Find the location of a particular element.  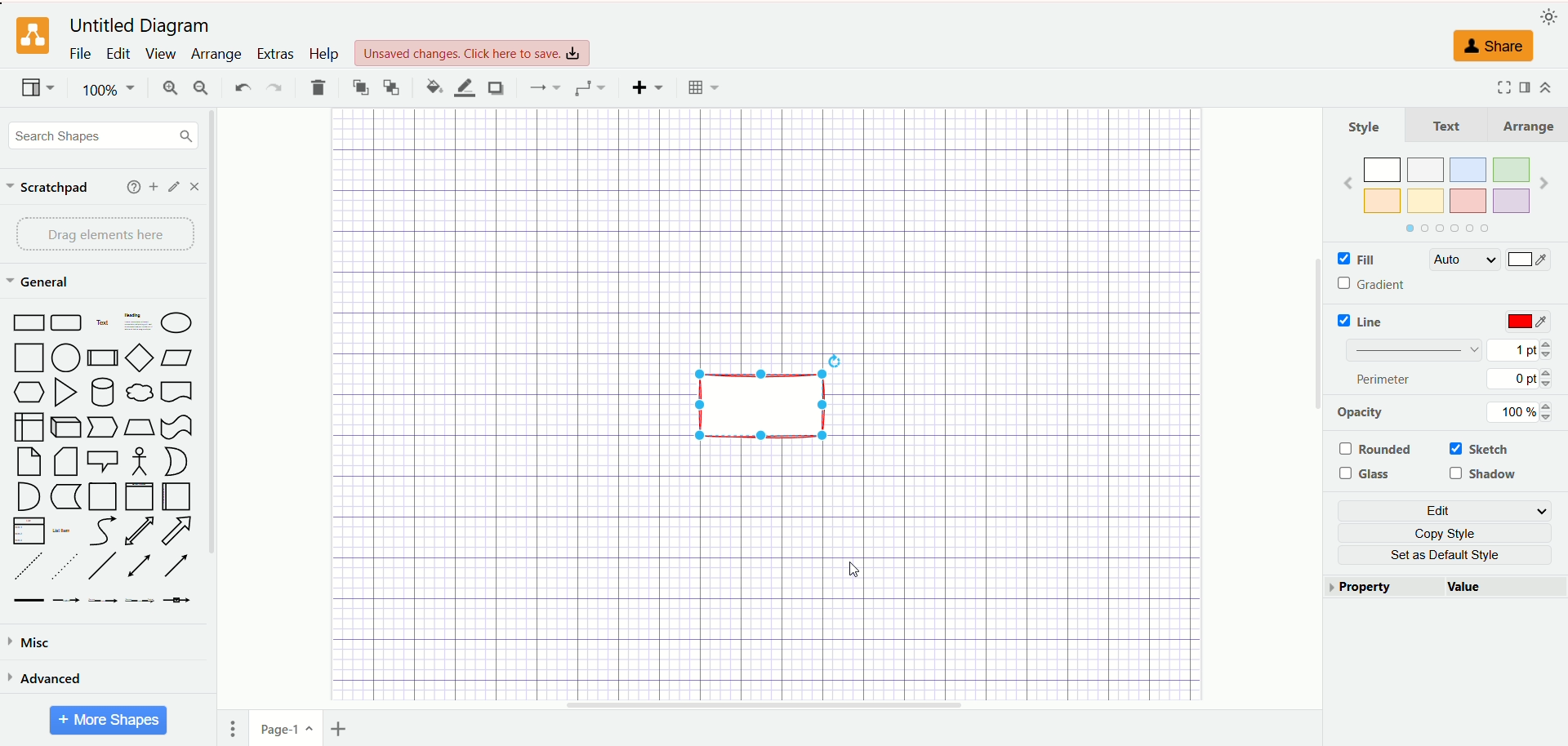

shadow is located at coordinates (1484, 473).